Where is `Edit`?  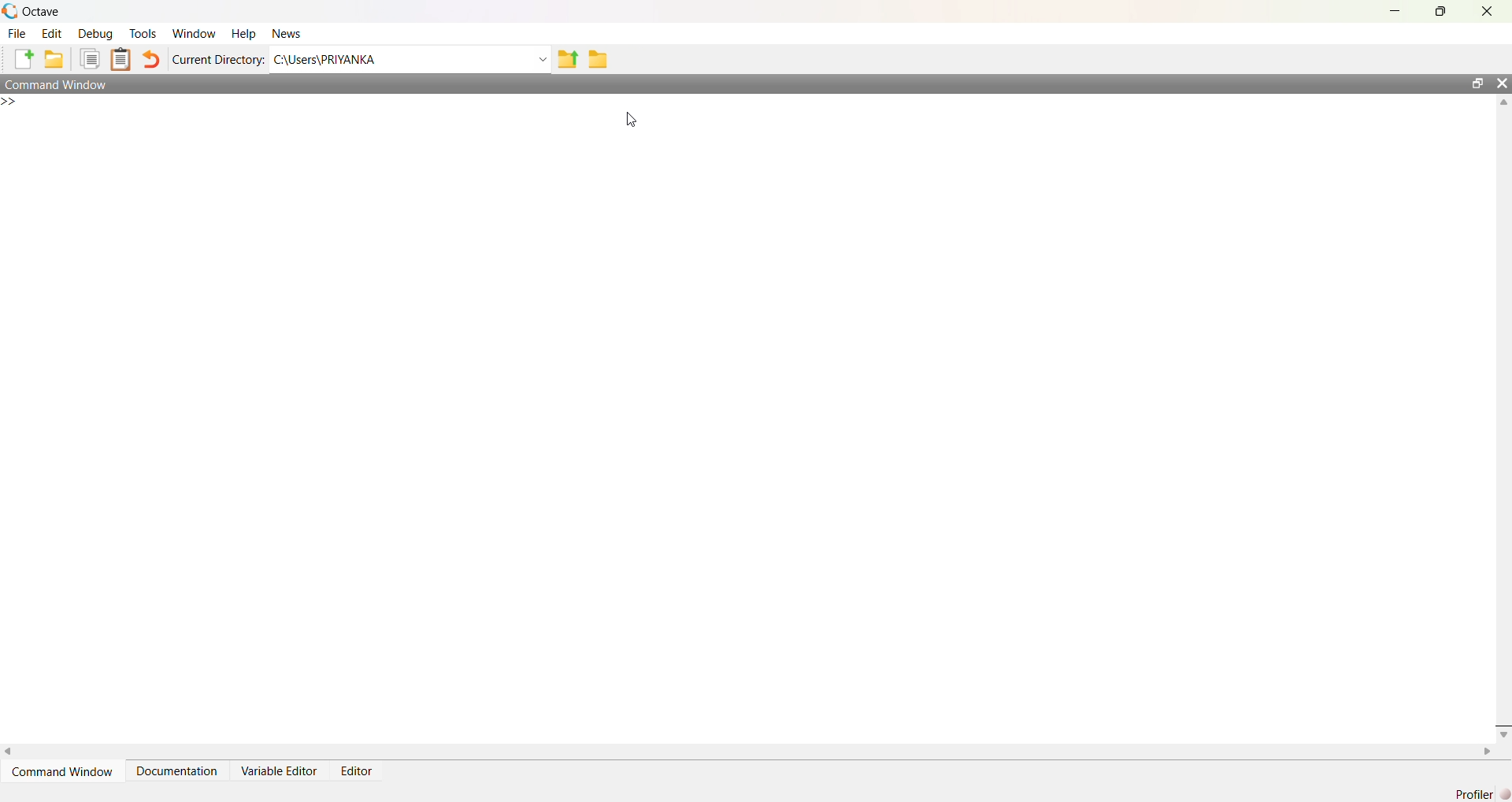
Edit is located at coordinates (55, 35).